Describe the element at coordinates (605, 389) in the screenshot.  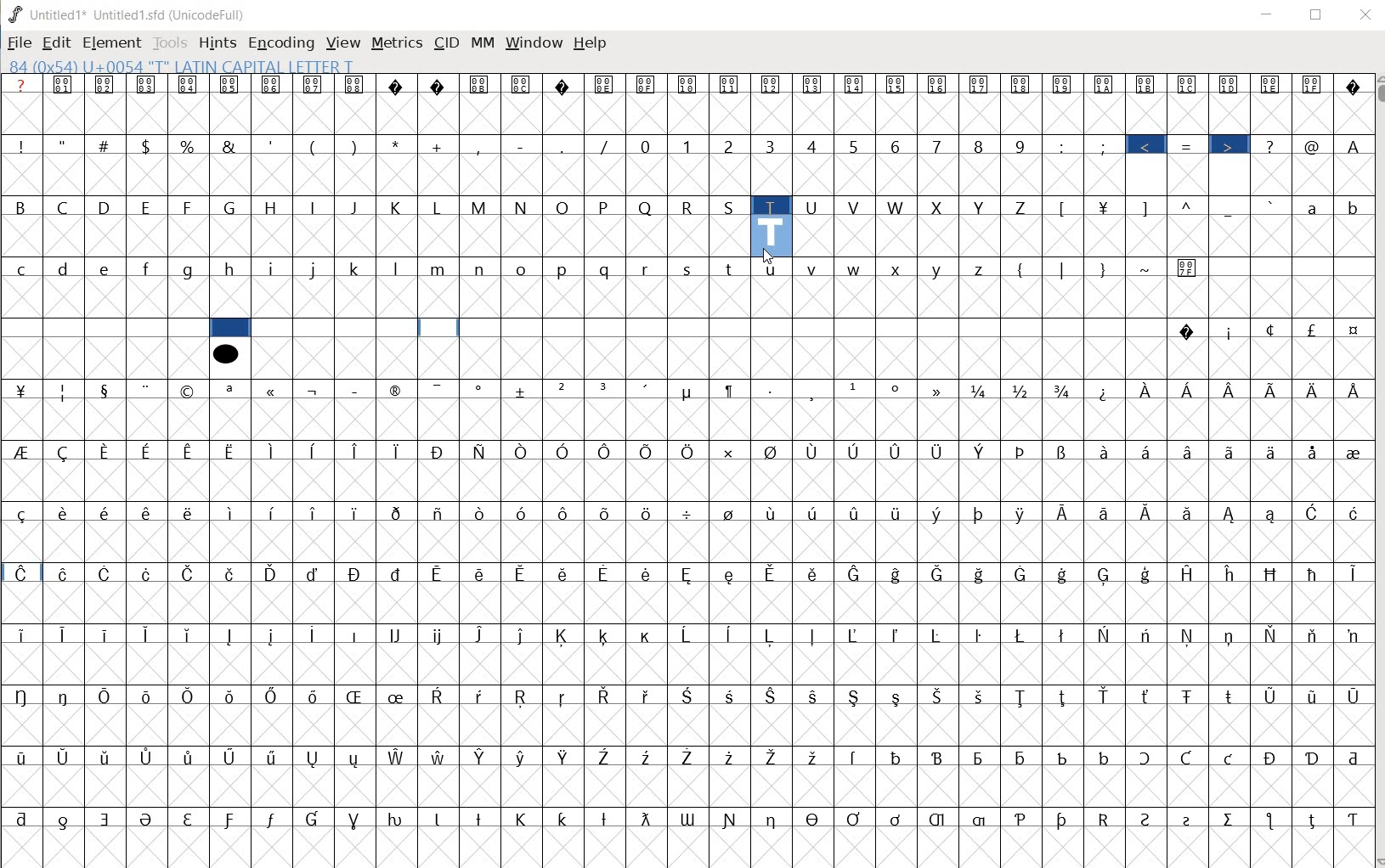
I see `Symbol` at that location.